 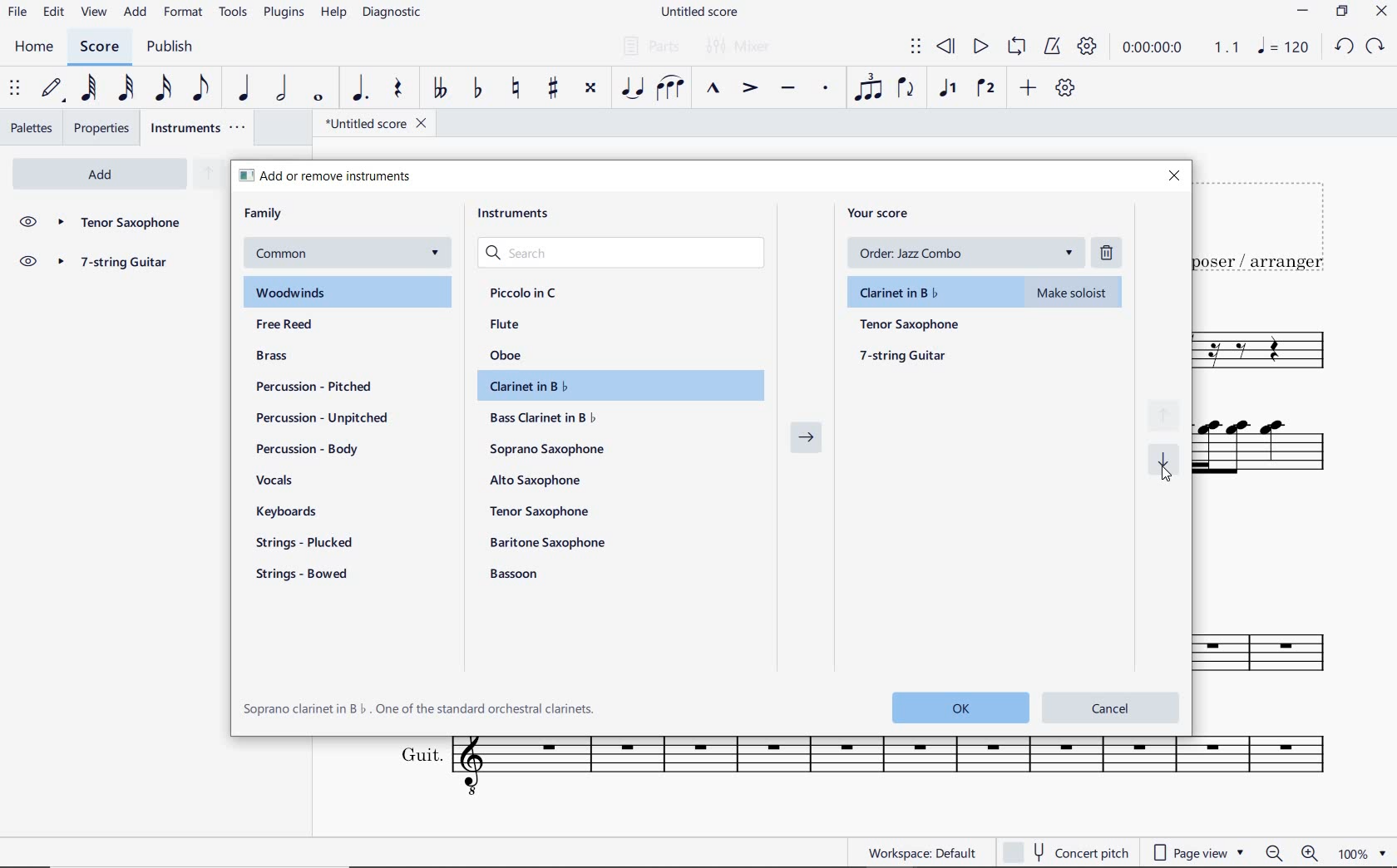 I want to click on INSTRUMENT: TENOR SAXOPHONE, so click(x=1271, y=352).